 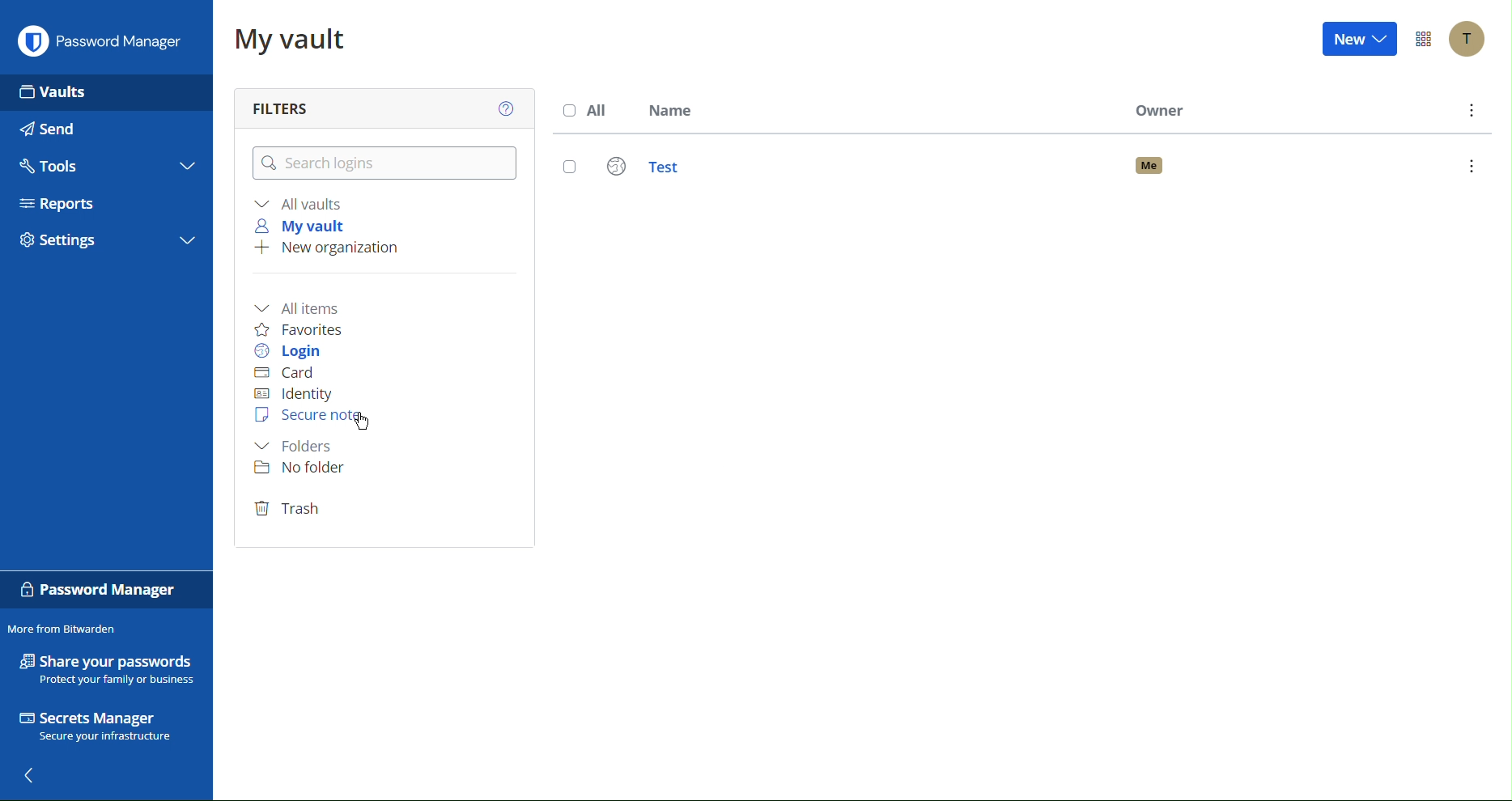 I want to click on Trash, so click(x=291, y=507).